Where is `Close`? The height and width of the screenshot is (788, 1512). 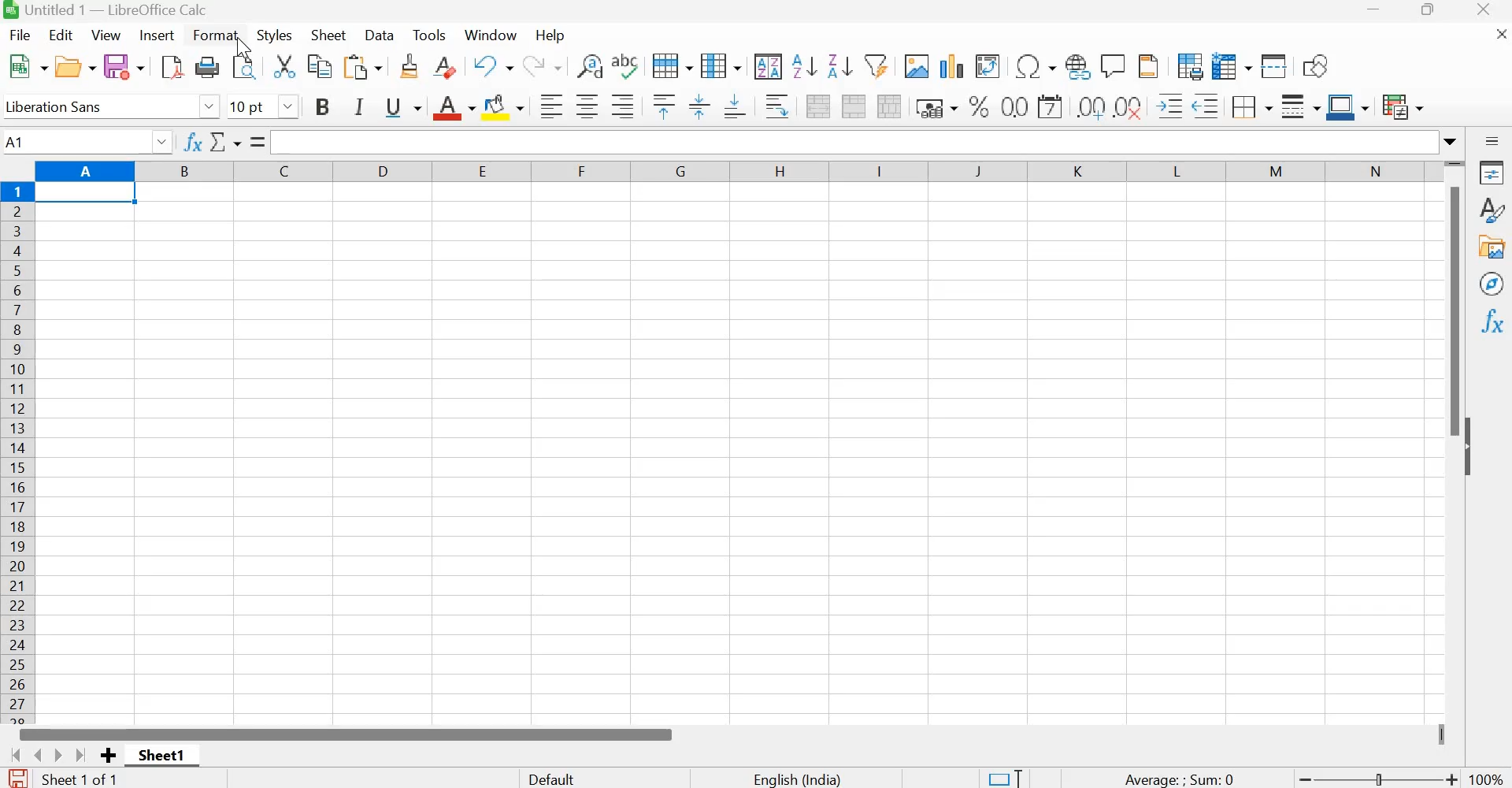 Close is located at coordinates (1486, 11).